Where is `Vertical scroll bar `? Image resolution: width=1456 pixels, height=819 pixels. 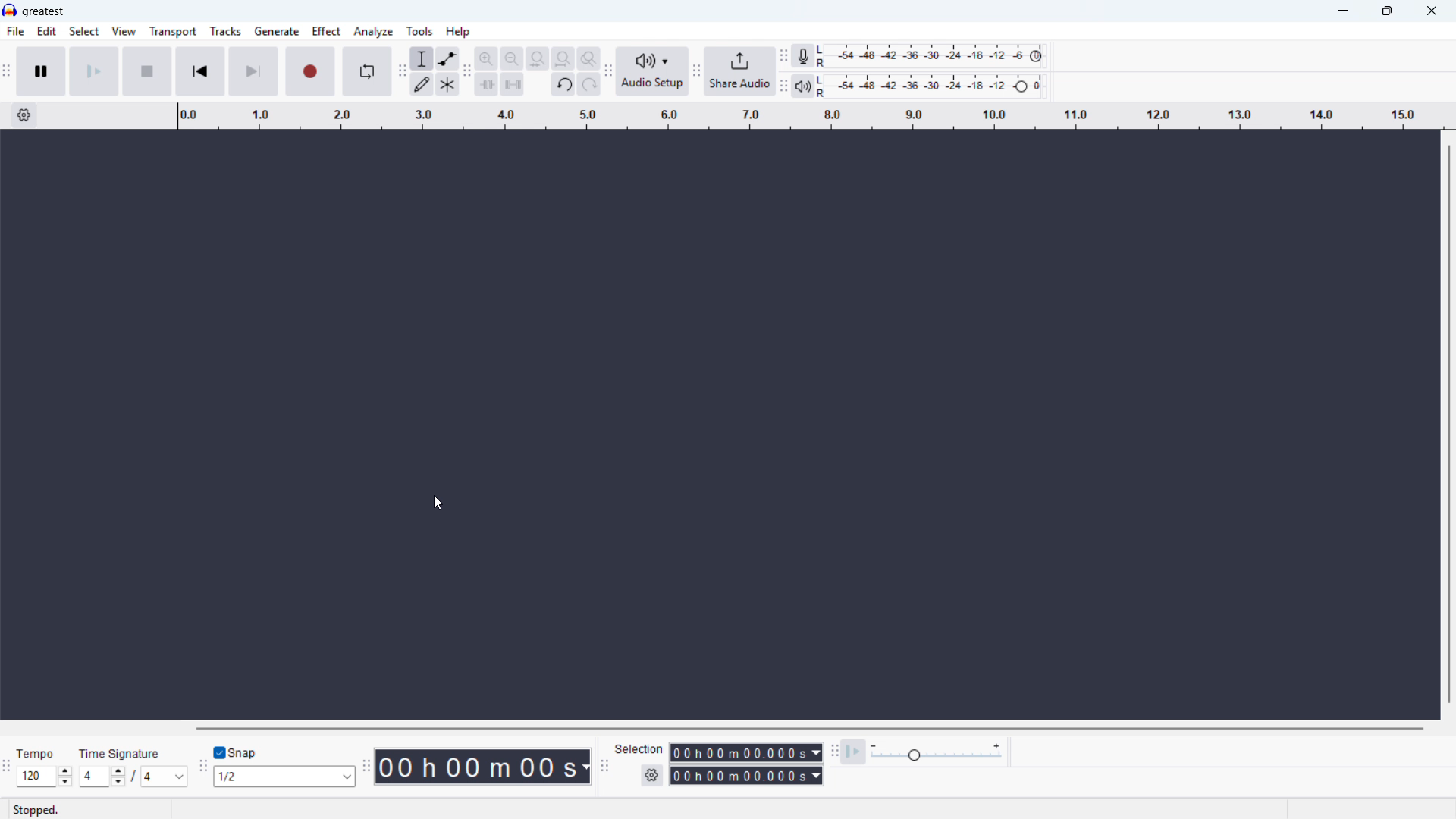 Vertical scroll bar  is located at coordinates (1449, 424).